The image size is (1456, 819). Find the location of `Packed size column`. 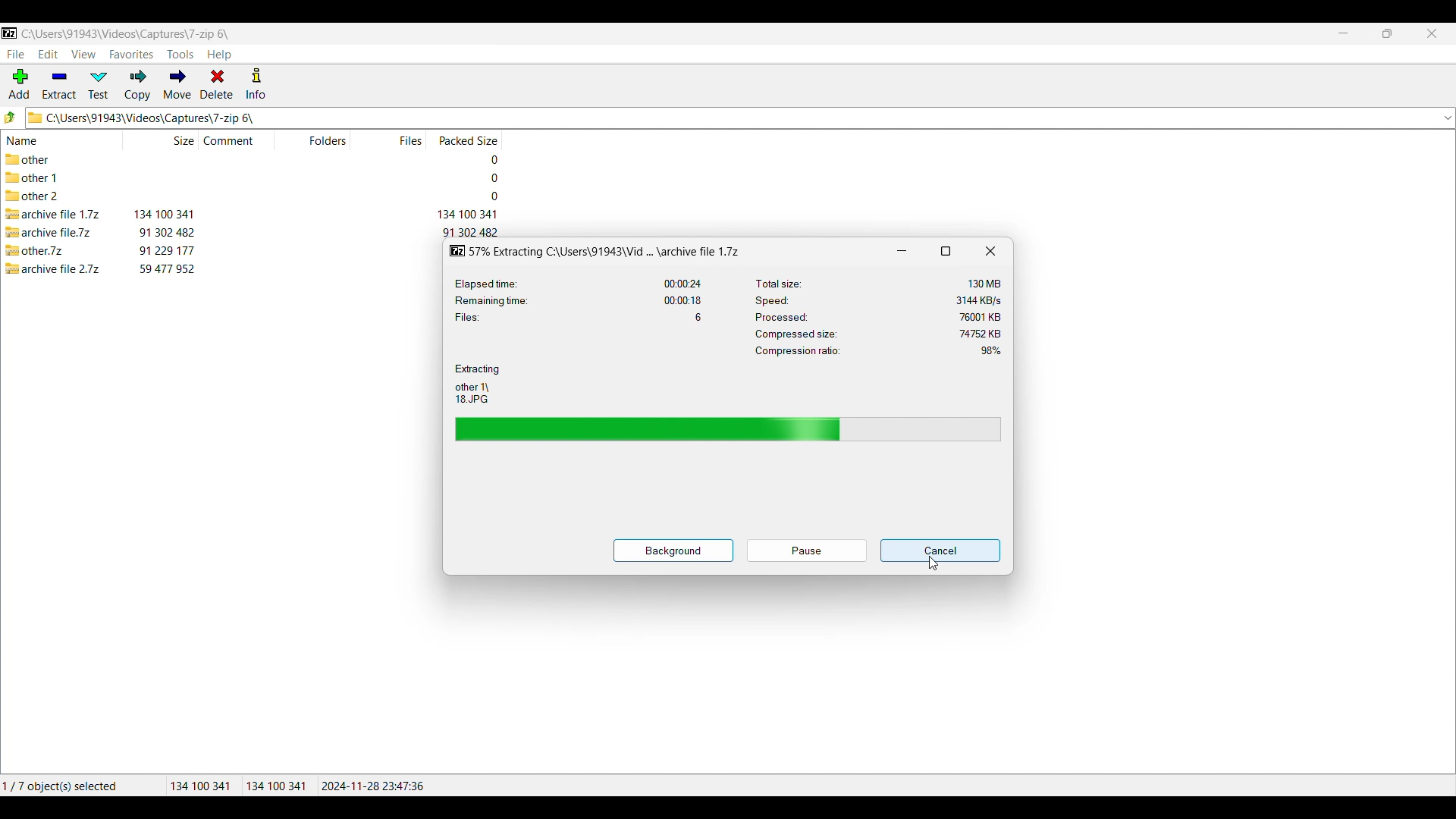

Packed size column is located at coordinates (467, 140).